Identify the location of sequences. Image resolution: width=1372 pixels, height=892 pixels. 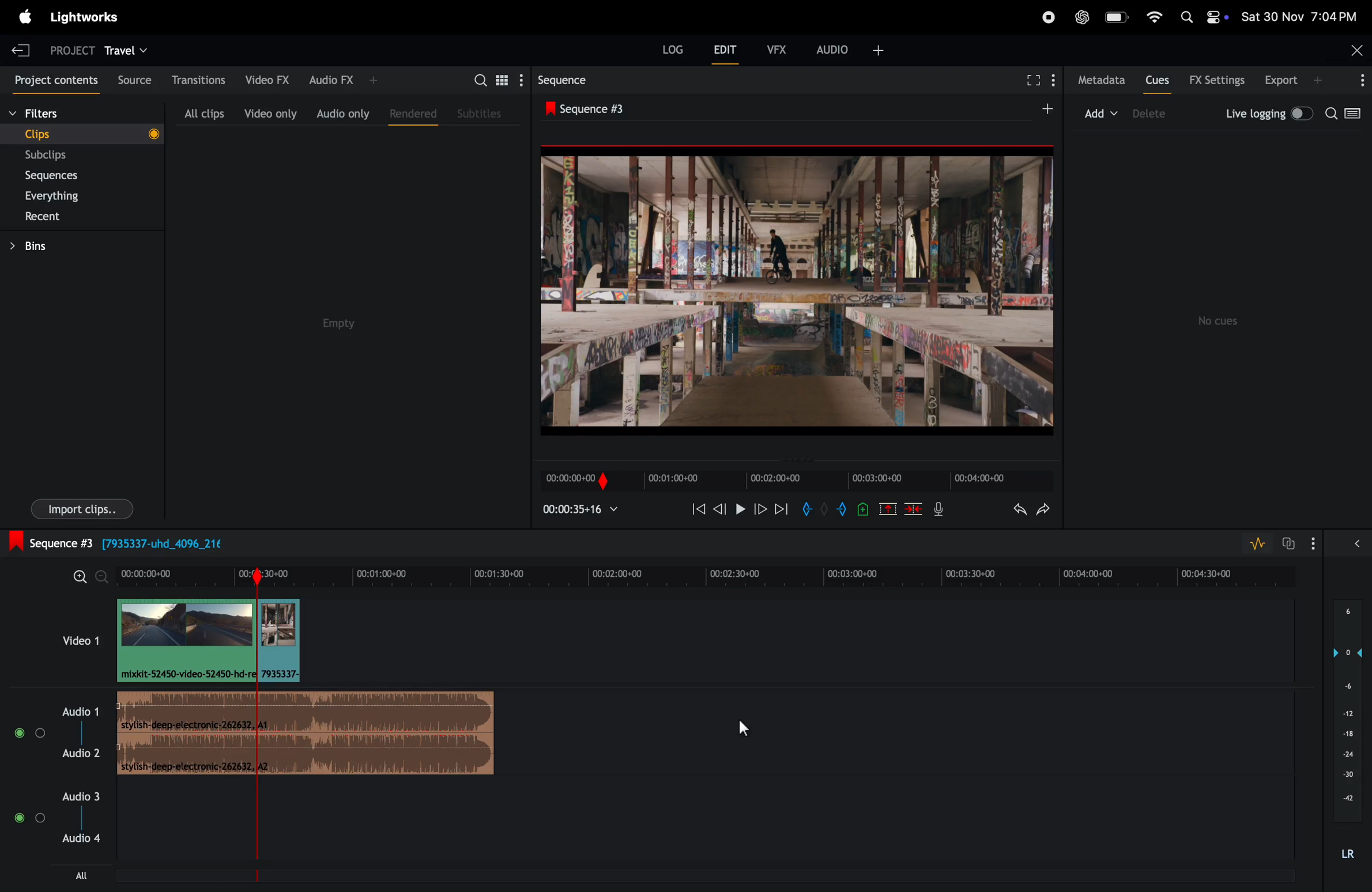
(63, 176).